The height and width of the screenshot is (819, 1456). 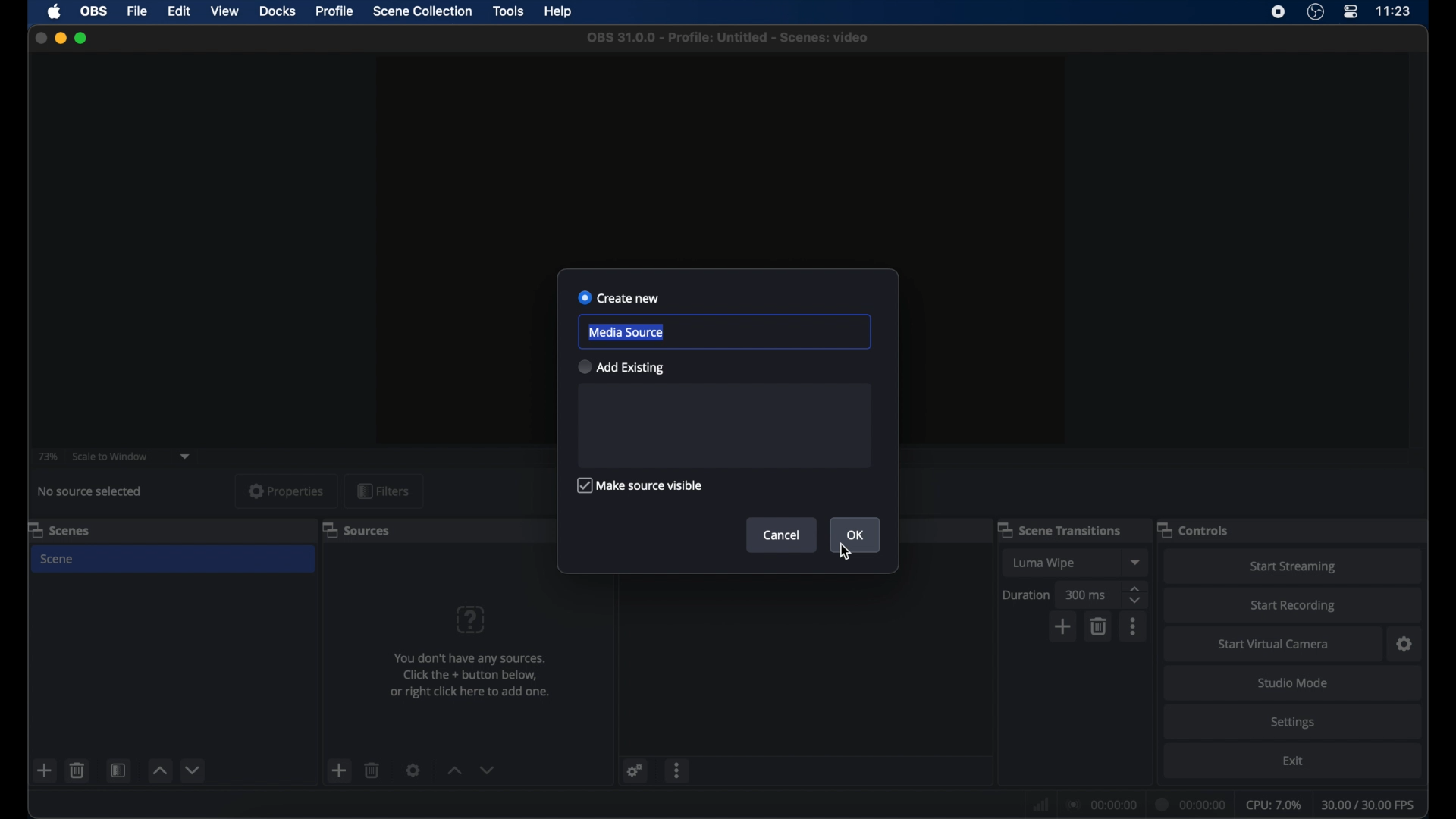 I want to click on no source selected, so click(x=90, y=491).